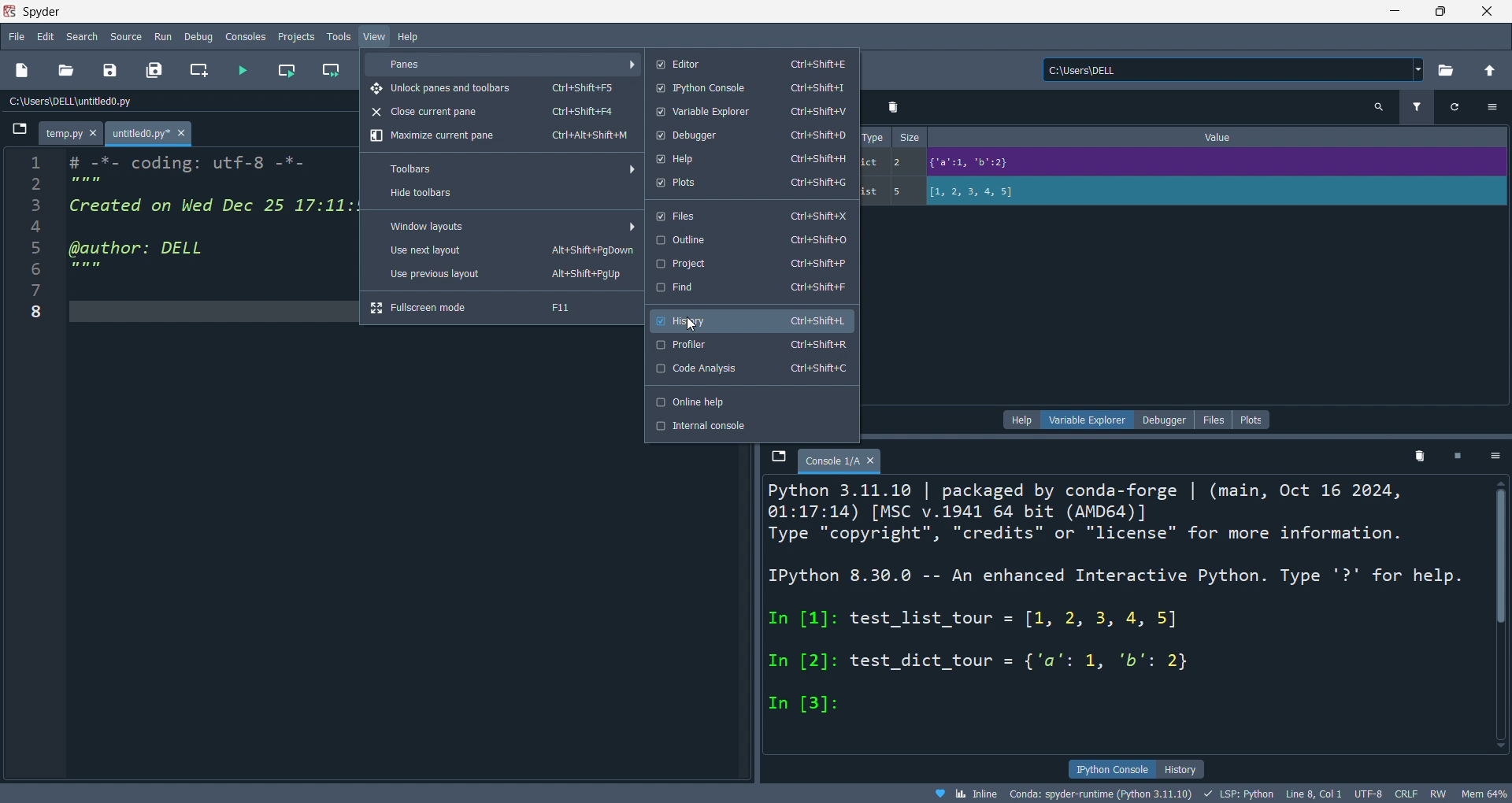 This screenshot has height=803, width=1512. What do you see at coordinates (373, 37) in the screenshot?
I see `view` at bounding box center [373, 37].